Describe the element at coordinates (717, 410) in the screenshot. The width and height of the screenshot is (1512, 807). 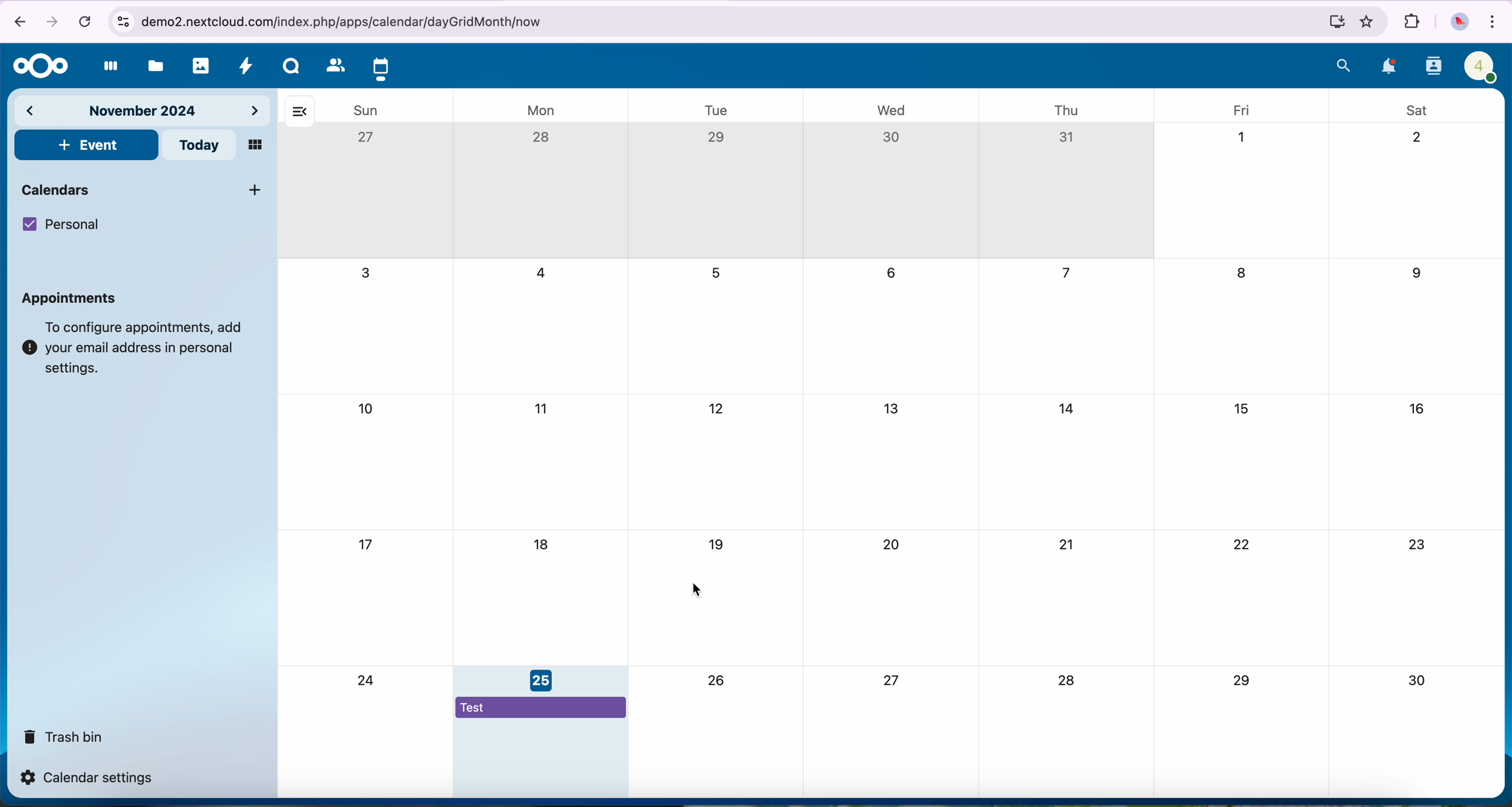
I see `12` at that location.